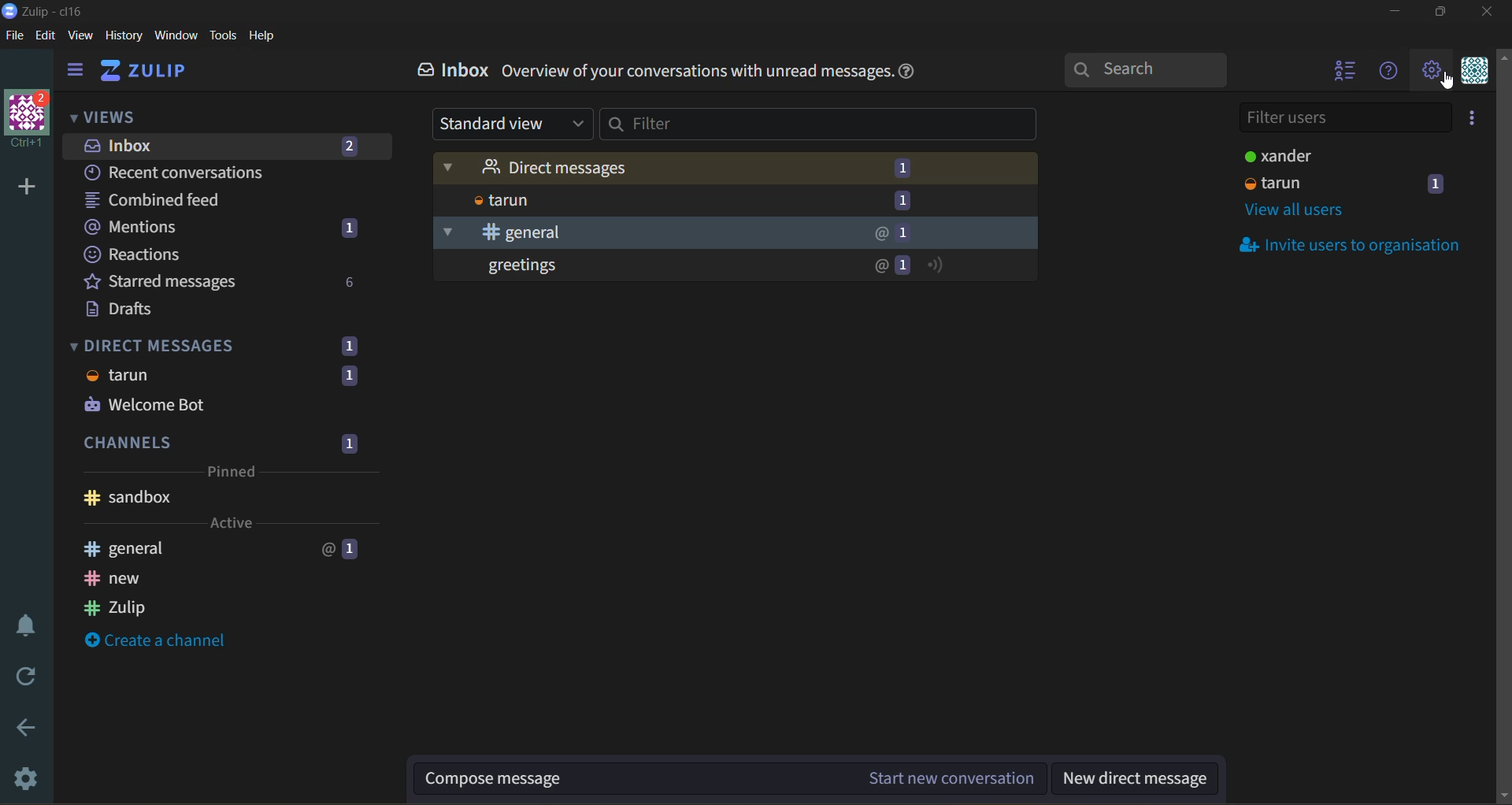  What do you see at coordinates (27, 729) in the screenshot?
I see `go back` at bounding box center [27, 729].